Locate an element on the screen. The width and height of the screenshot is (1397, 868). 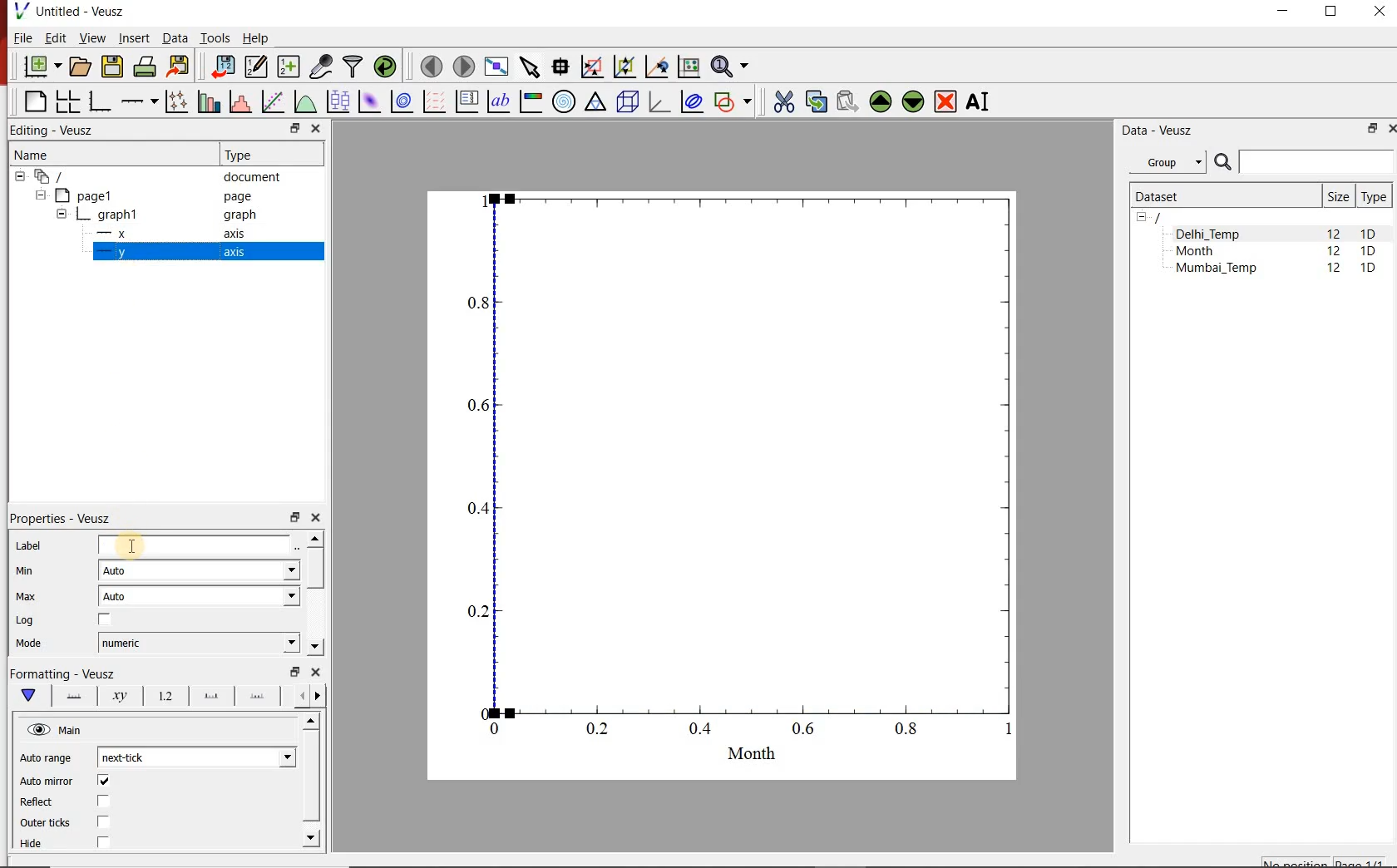
Main is located at coordinates (57, 730).